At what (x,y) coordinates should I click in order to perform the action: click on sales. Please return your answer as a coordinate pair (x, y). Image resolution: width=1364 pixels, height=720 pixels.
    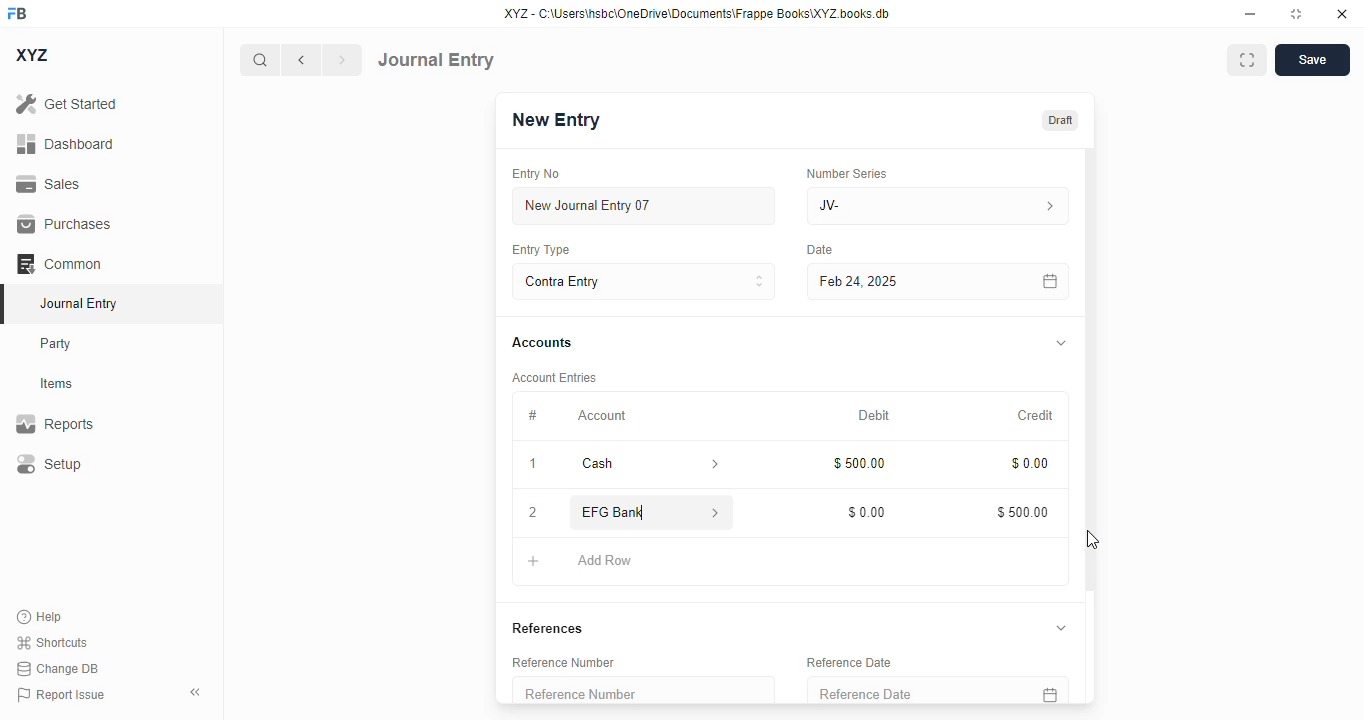
    Looking at the image, I should click on (48, 184).